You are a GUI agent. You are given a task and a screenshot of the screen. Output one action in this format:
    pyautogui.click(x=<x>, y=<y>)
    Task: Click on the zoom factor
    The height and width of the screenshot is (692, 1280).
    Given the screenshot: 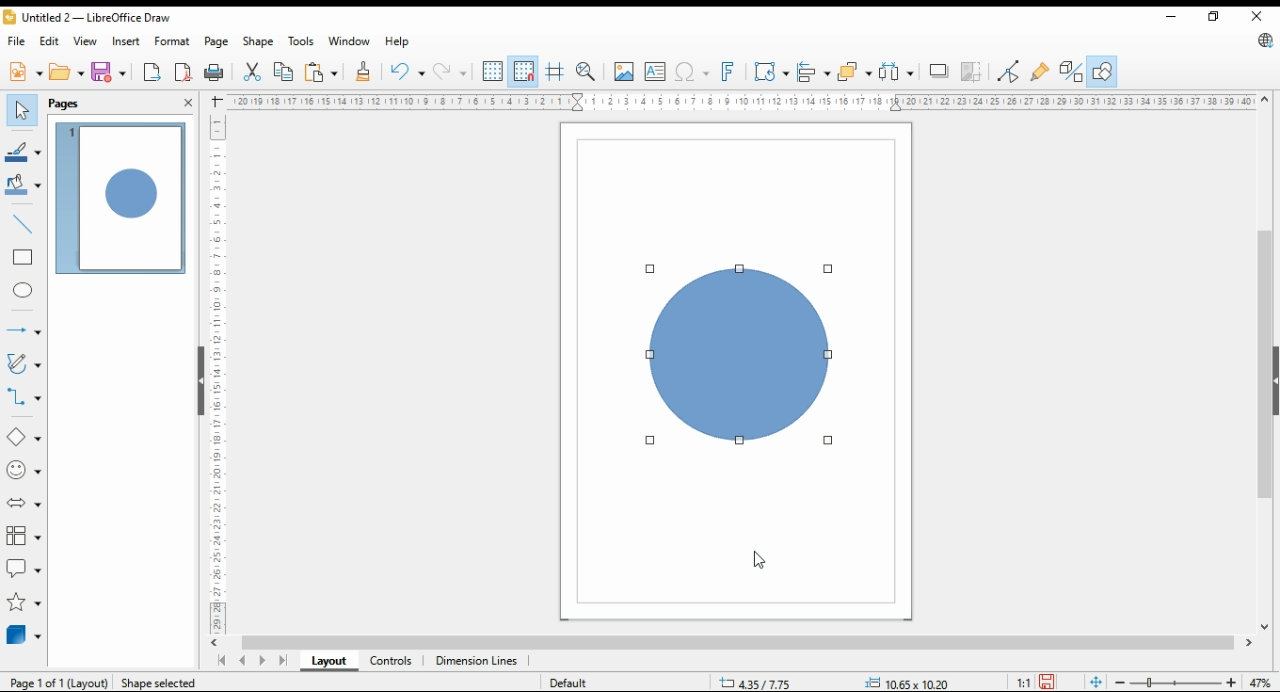 What is the action you would take?
    pyautogui.click(x=1258, y=680)
    